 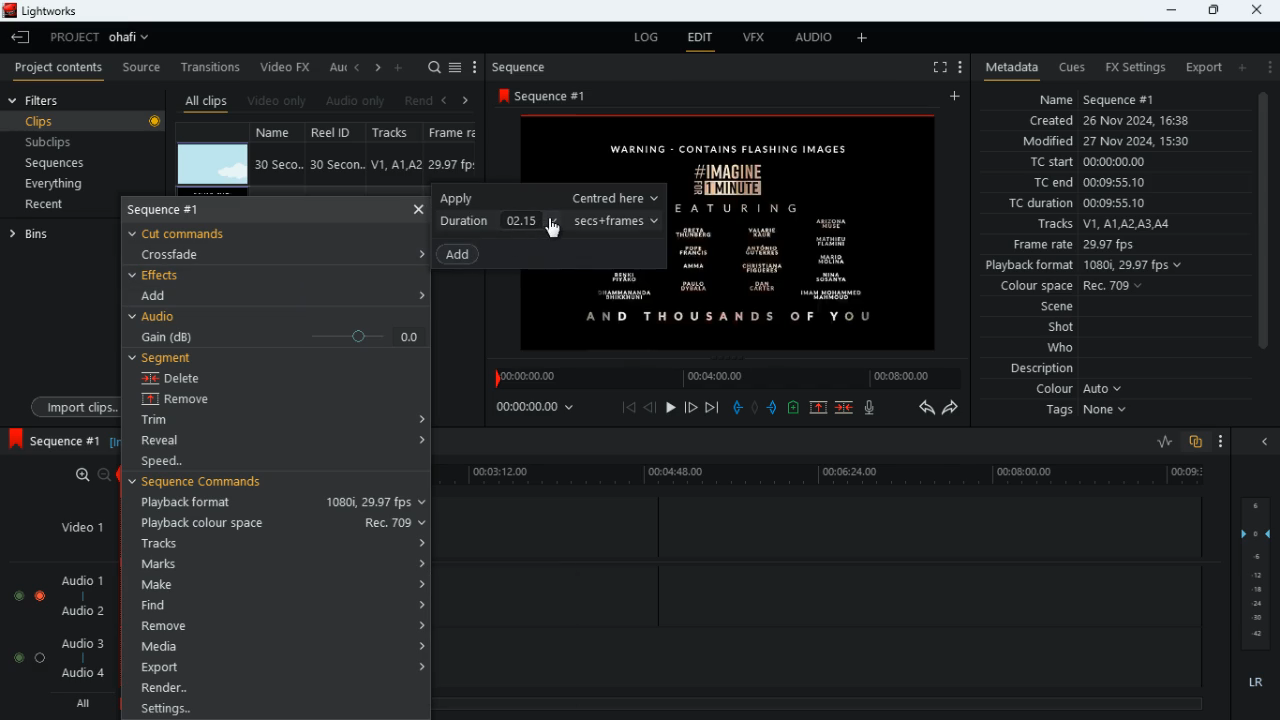 What do you see at coordinates (283, 626) in the screenshot?
I see `remove` at bounding box center [283, 626].